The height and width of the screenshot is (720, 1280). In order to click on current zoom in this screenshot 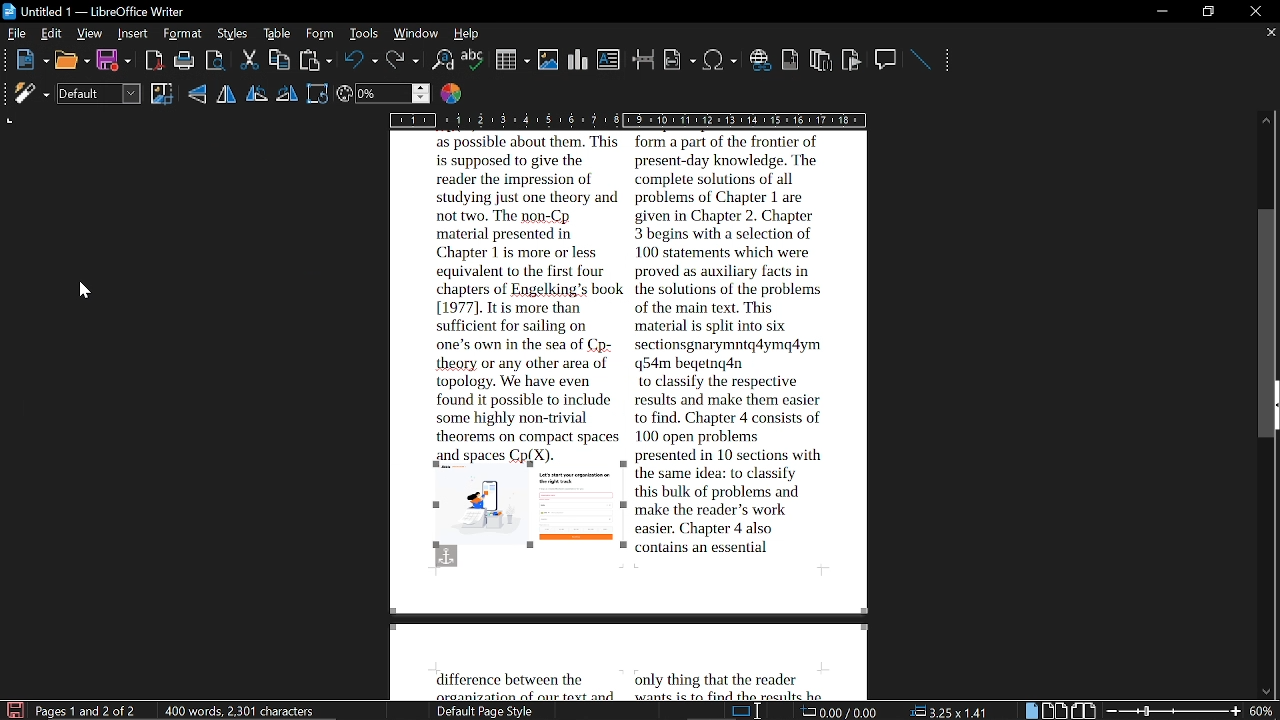, I will do `click(1263, 711)`.